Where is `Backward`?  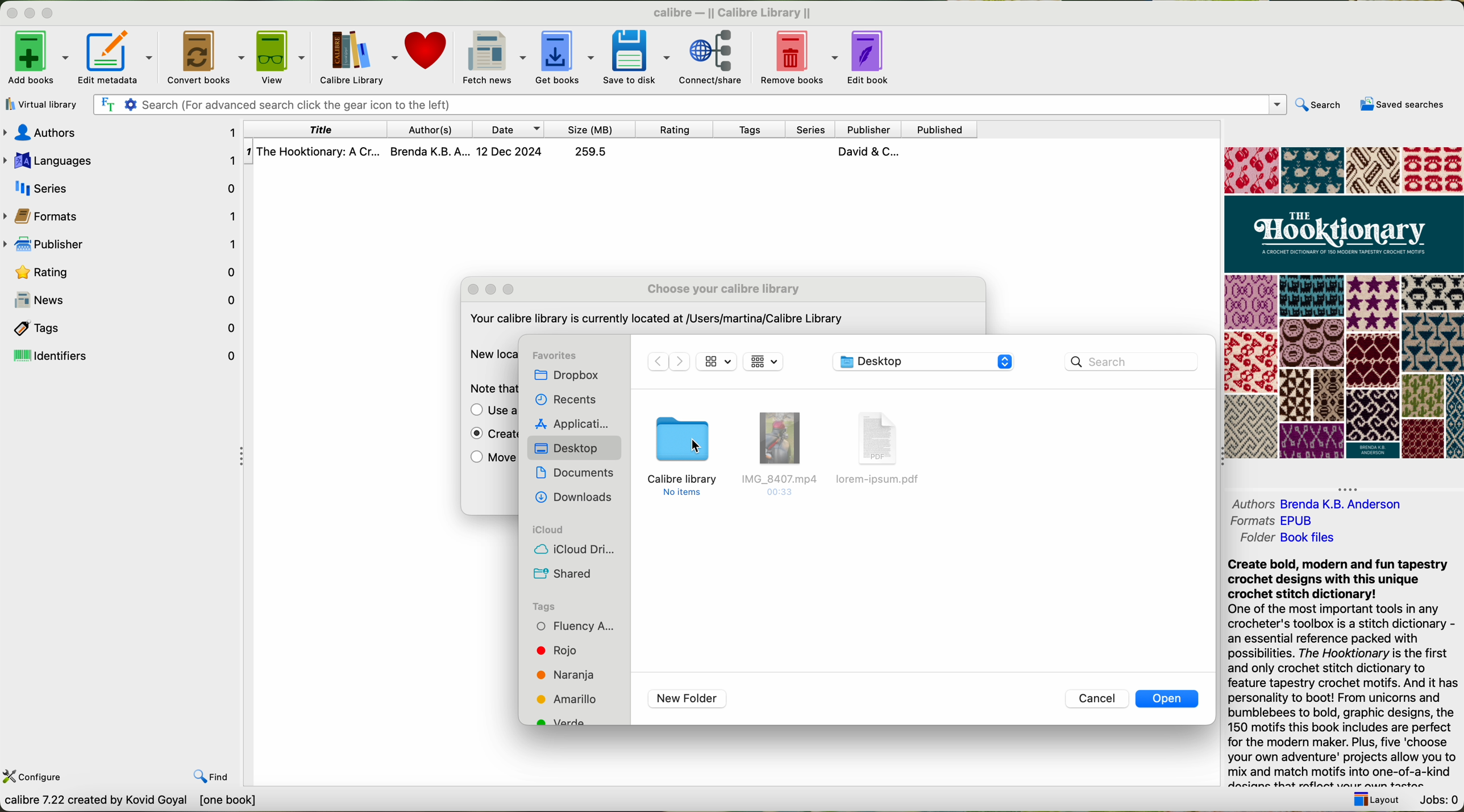 Backward is located at coordinates (659, 361).